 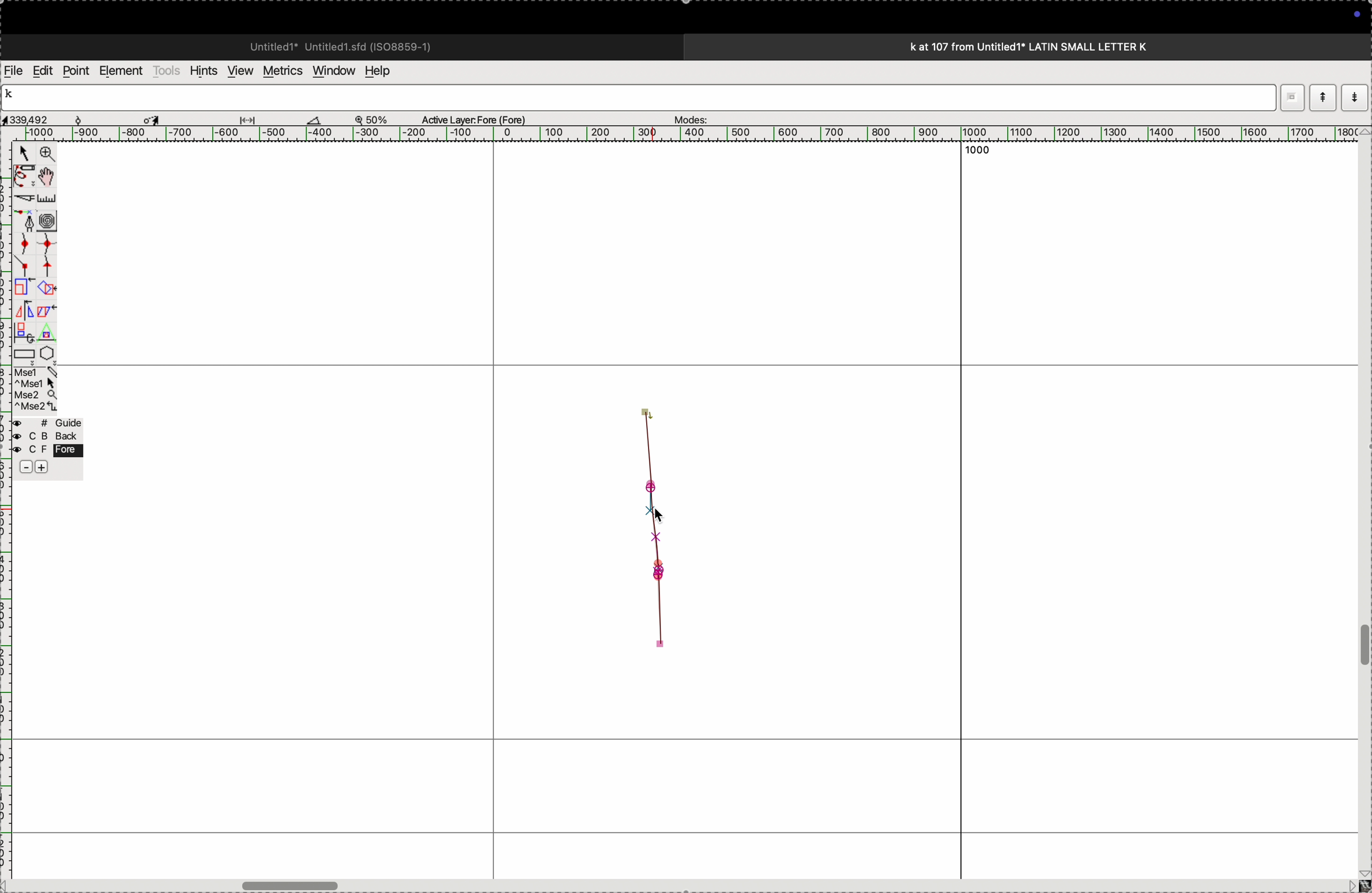 I want to click on ., so click(x=1353, y=97).